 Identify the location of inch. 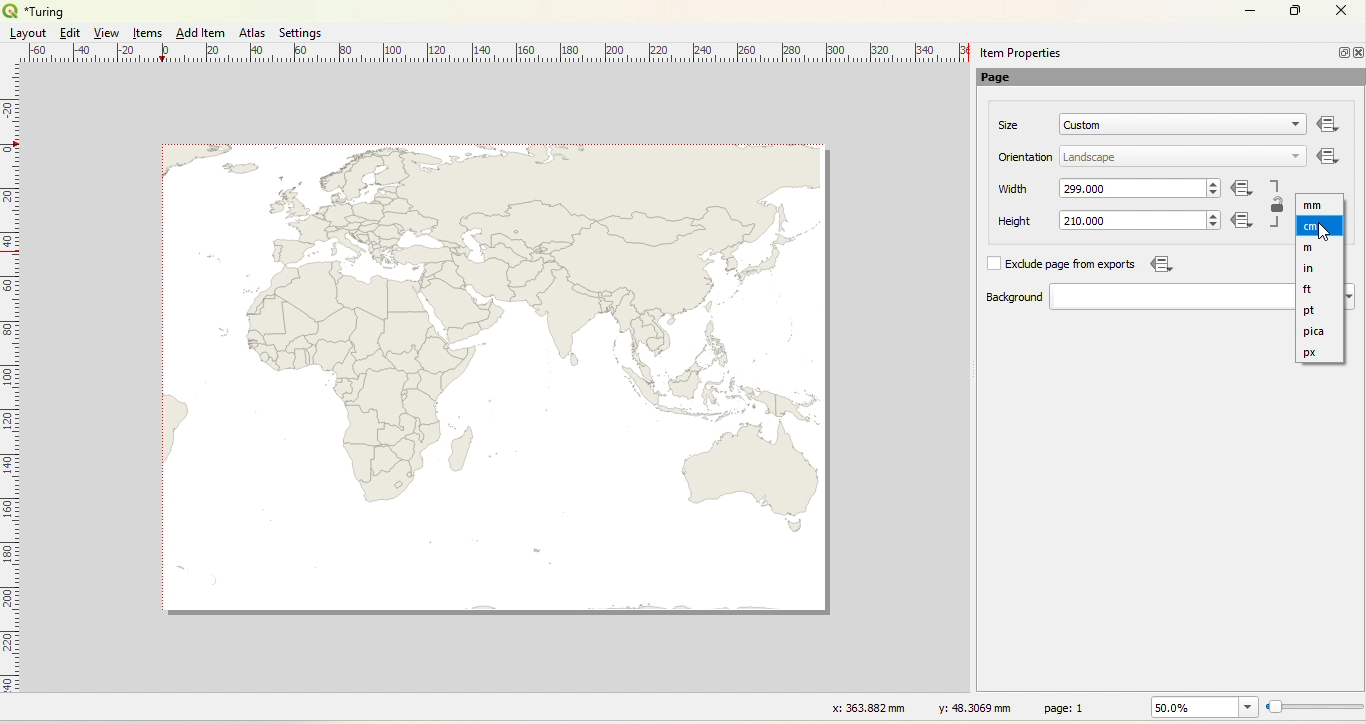
(1308, 270).